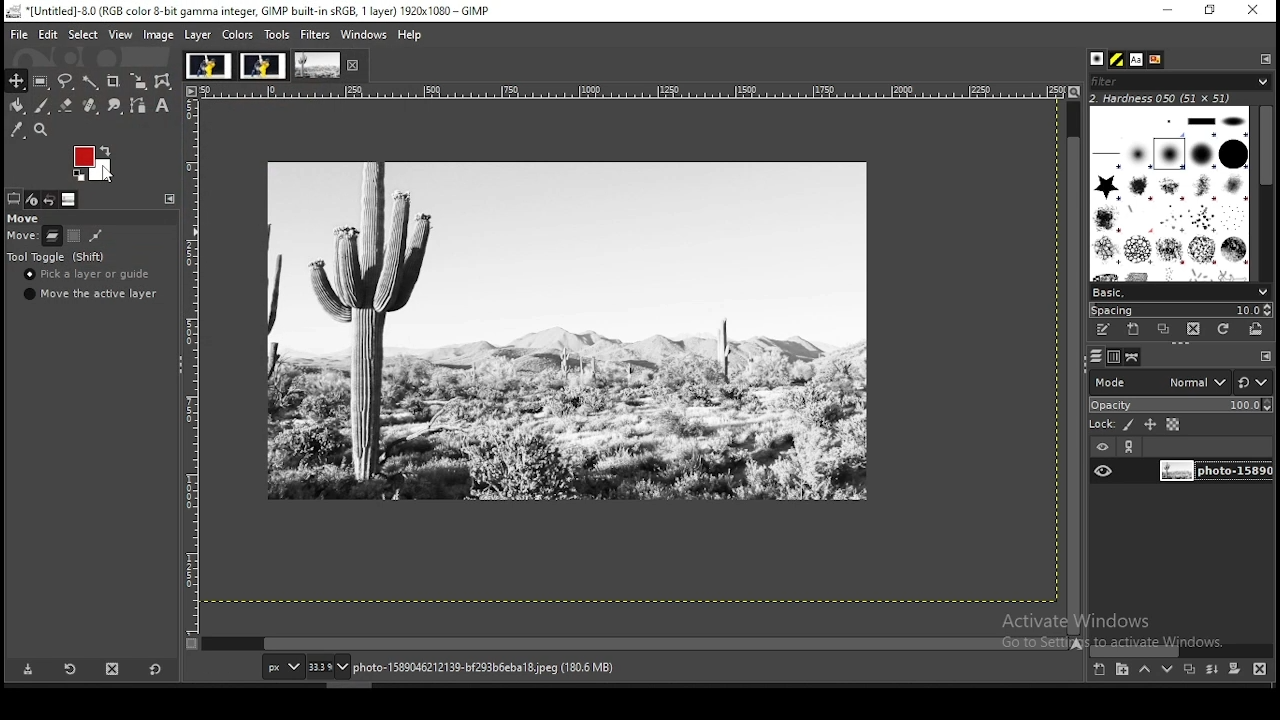  I want to click on scale, so click(189, 359).